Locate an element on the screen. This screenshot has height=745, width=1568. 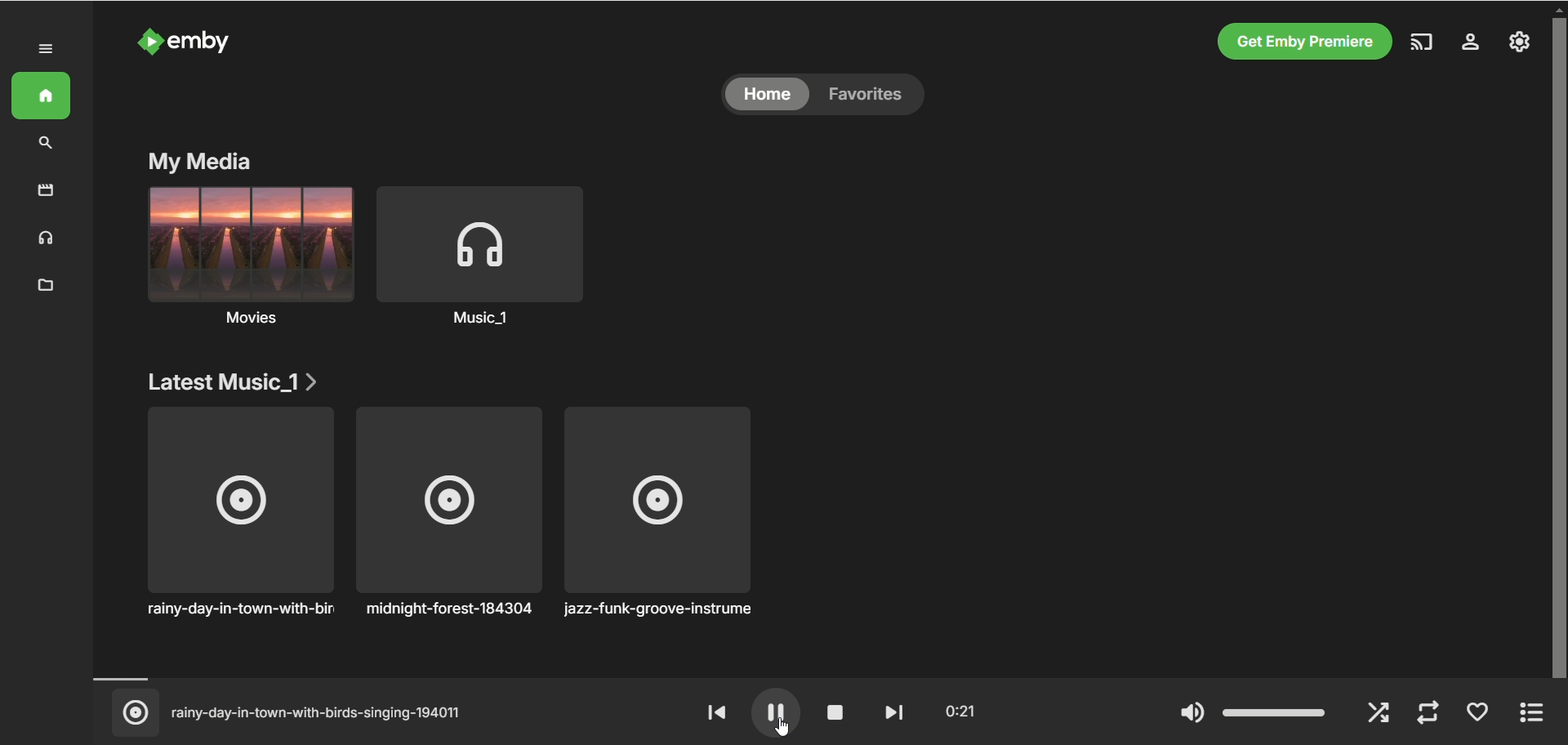
stop is located at coordinates (835, 713).